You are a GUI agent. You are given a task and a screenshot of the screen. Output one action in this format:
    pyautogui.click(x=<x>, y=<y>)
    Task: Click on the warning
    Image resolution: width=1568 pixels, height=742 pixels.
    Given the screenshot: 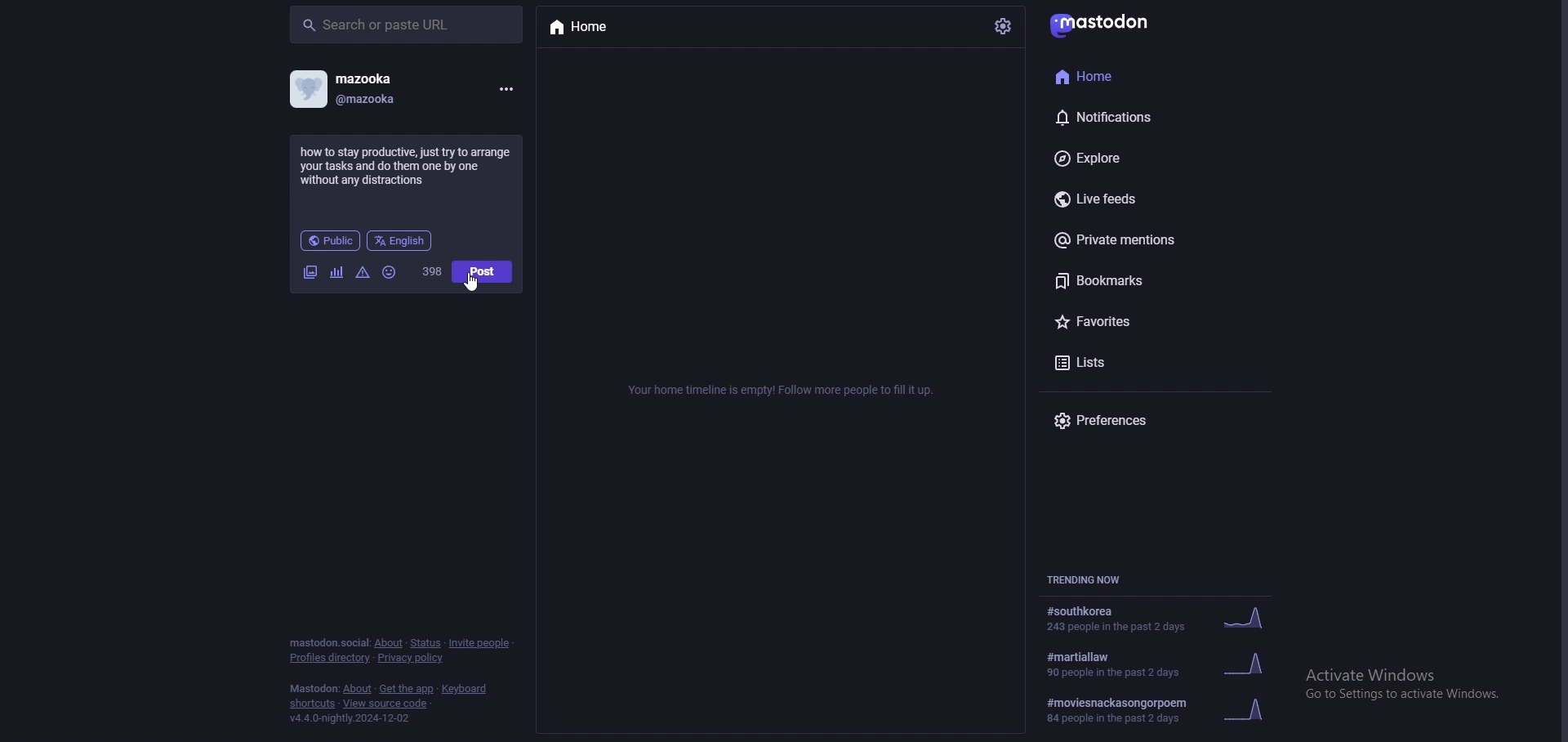 What is the action you would take?
    pyautogui.click(x=363, y=273)
    